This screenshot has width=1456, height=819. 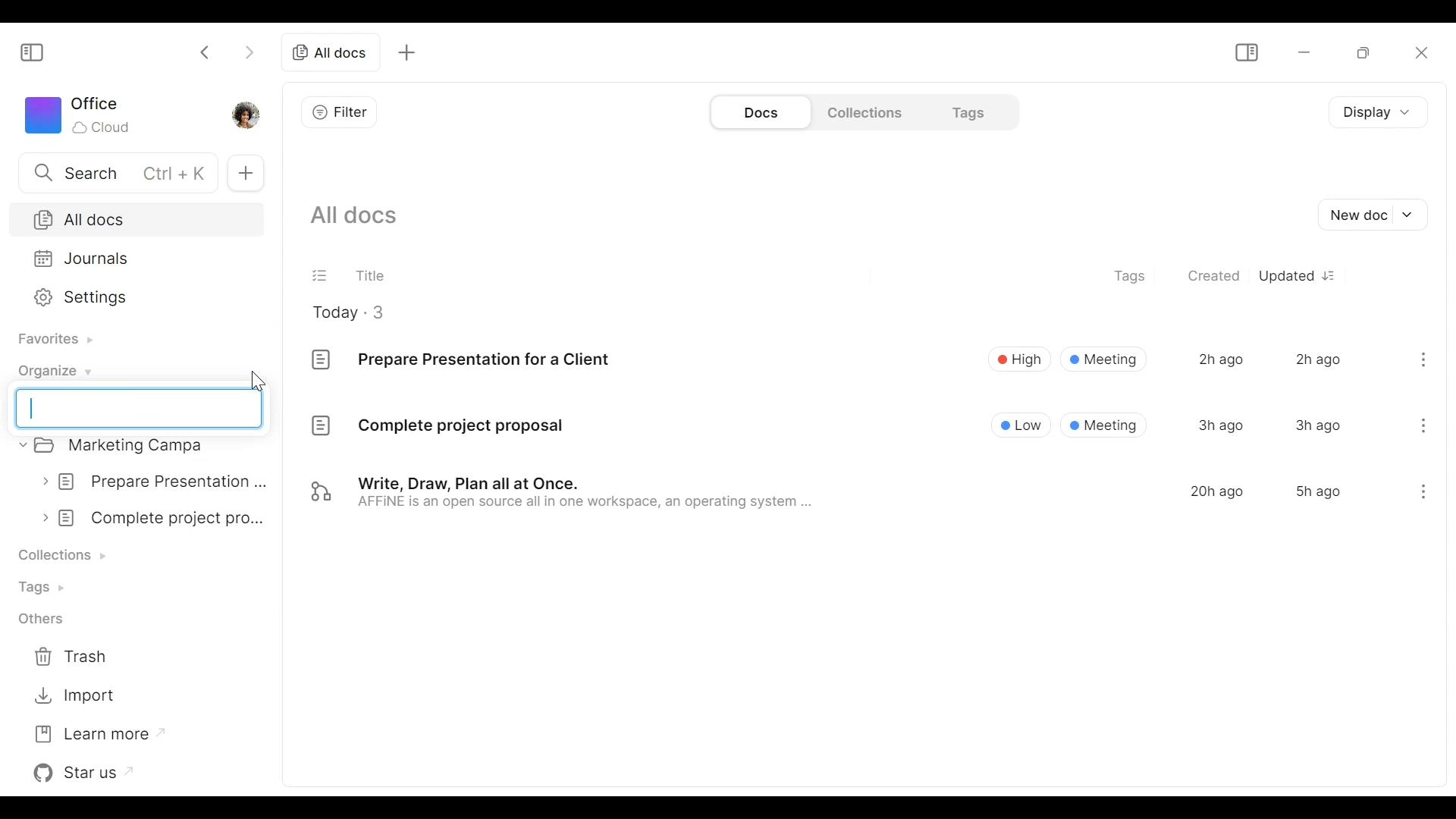 What do you see at coordinates (321, 274) in the screenshot?
I see `(un)select` at bounding box center [321, 274].